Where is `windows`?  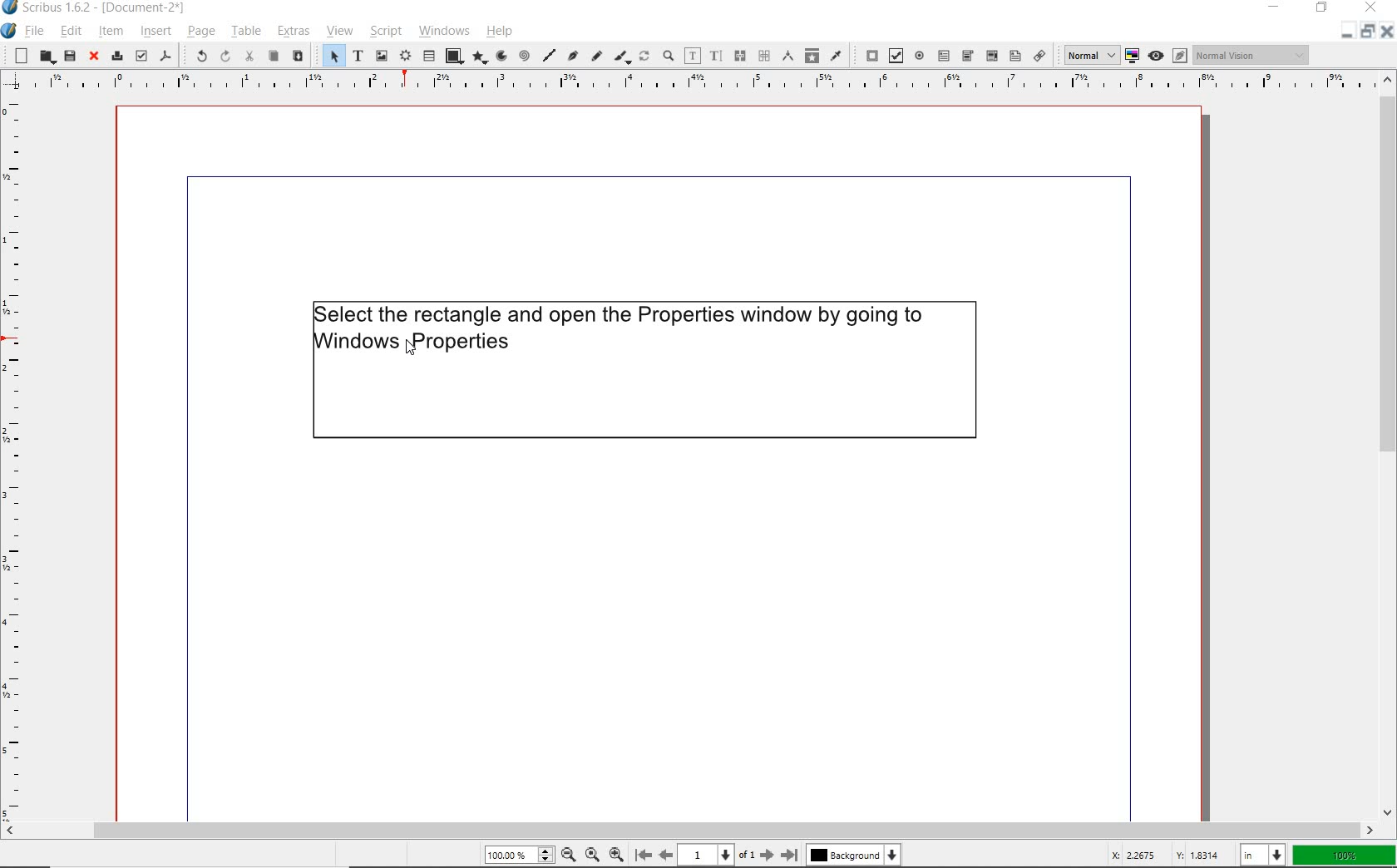
windows is located at coordinates (444, 31).